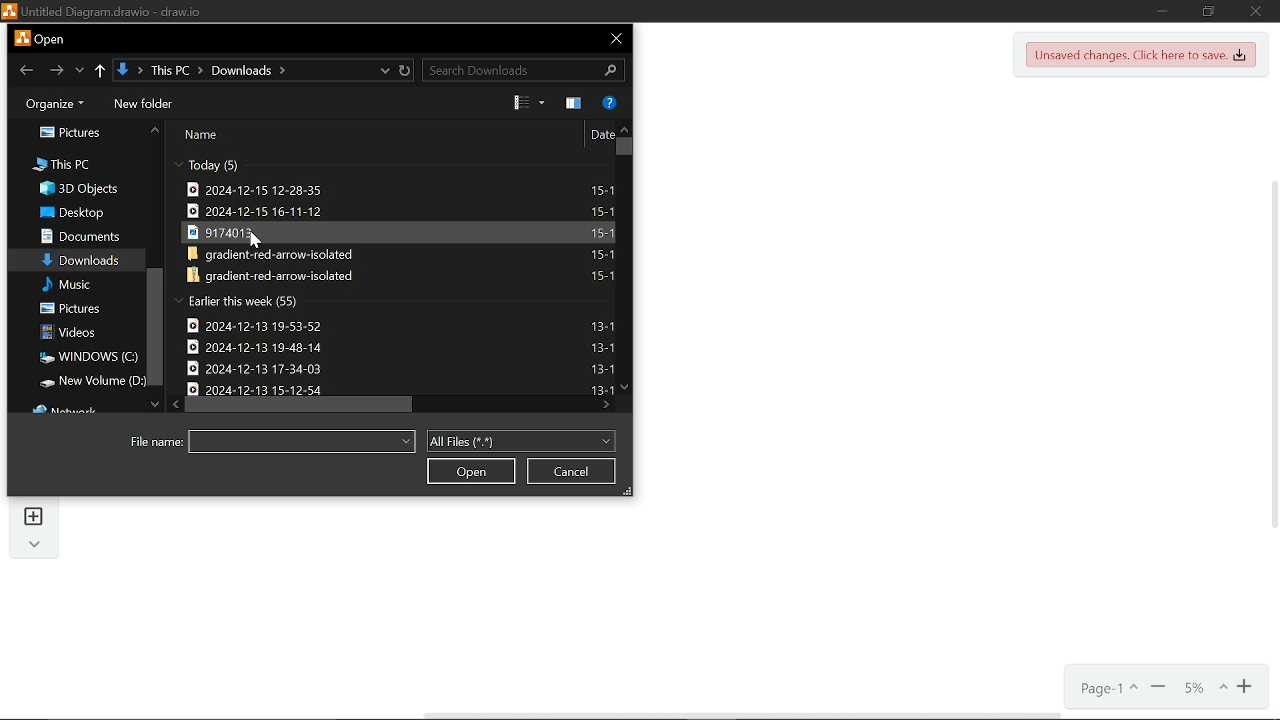 The width and height of the screenshot is (1280, 720). Describe the element at coordinates (55, 71) in the screenshot. I see `Next` at that location.